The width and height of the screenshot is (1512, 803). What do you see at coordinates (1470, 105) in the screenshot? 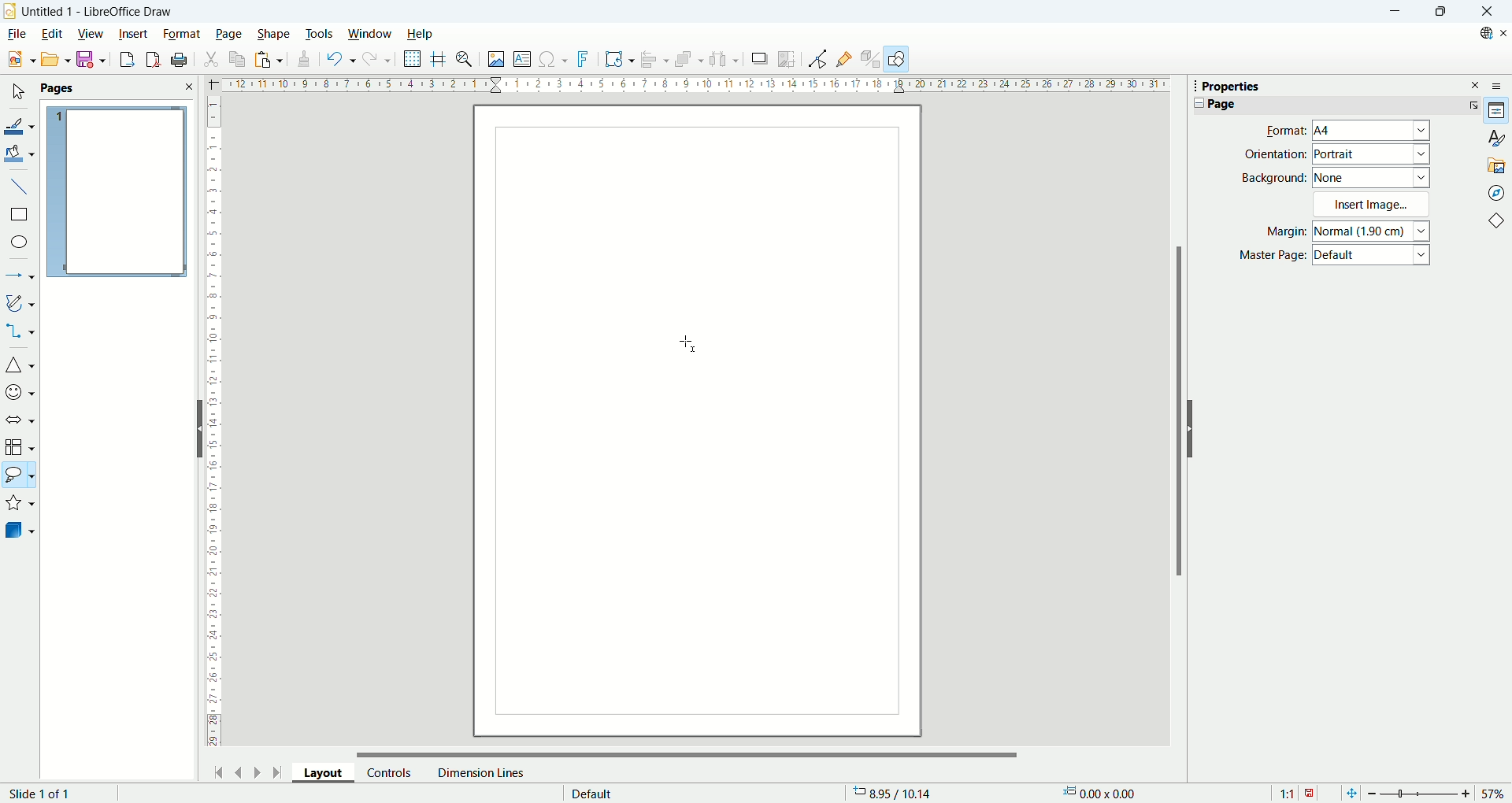
I see `More Options` at bounding box center [1470, 105].